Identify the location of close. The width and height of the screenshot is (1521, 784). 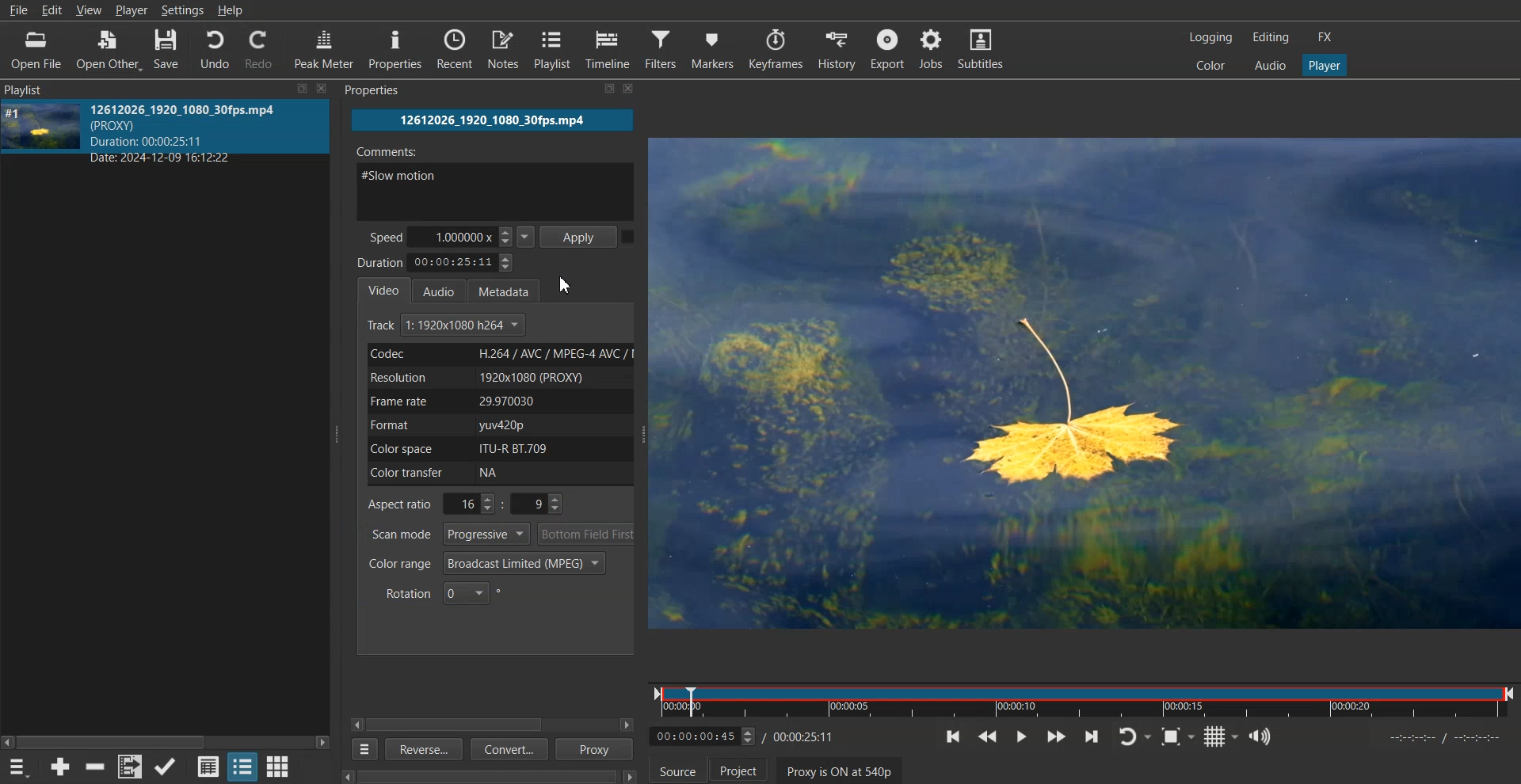
(322, 87).